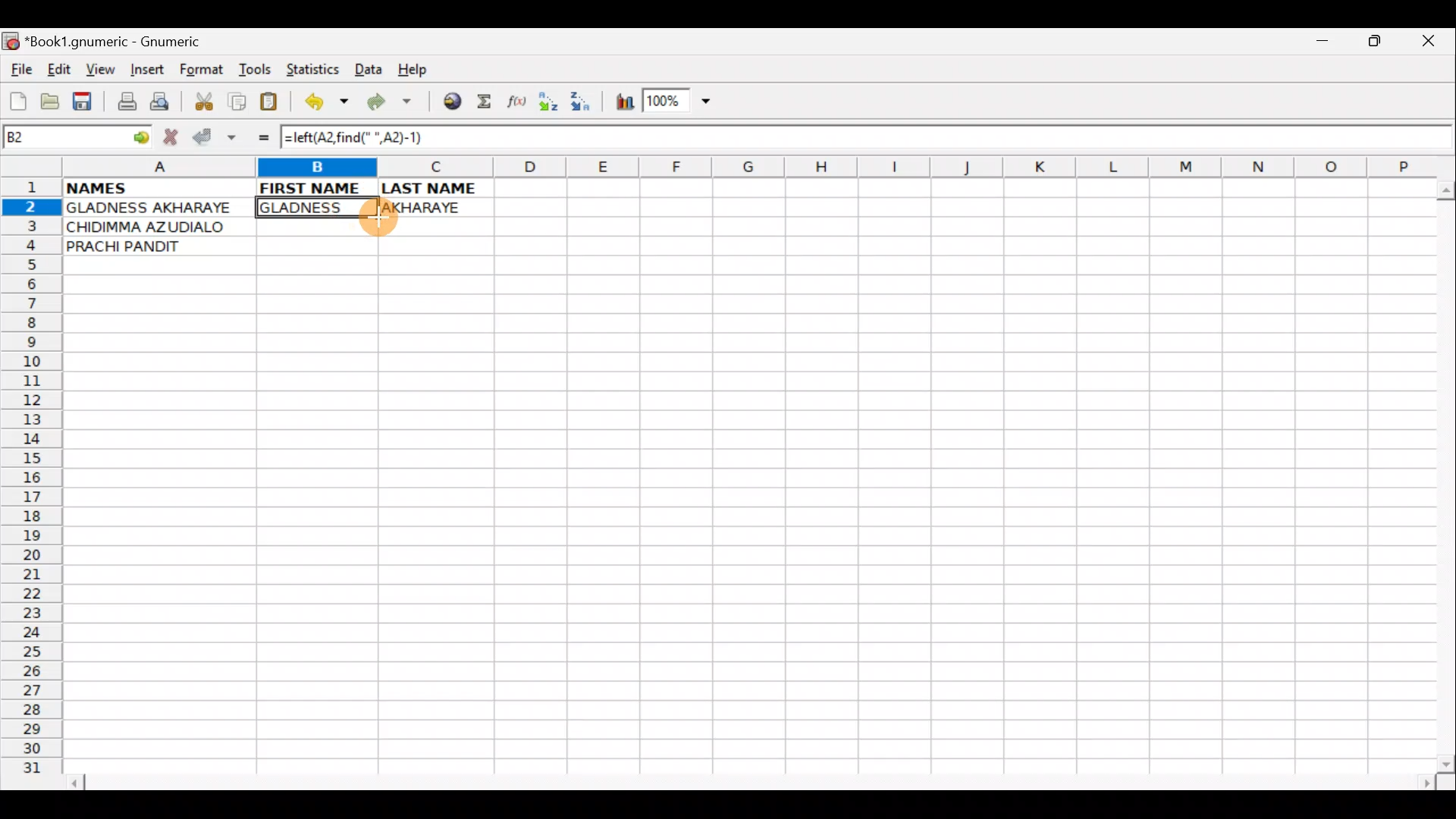 This screenshot has width=1456, height=819. Describe the element at coordinates (754, 780) in the screenshot. I see `Scroll bar` at that location.